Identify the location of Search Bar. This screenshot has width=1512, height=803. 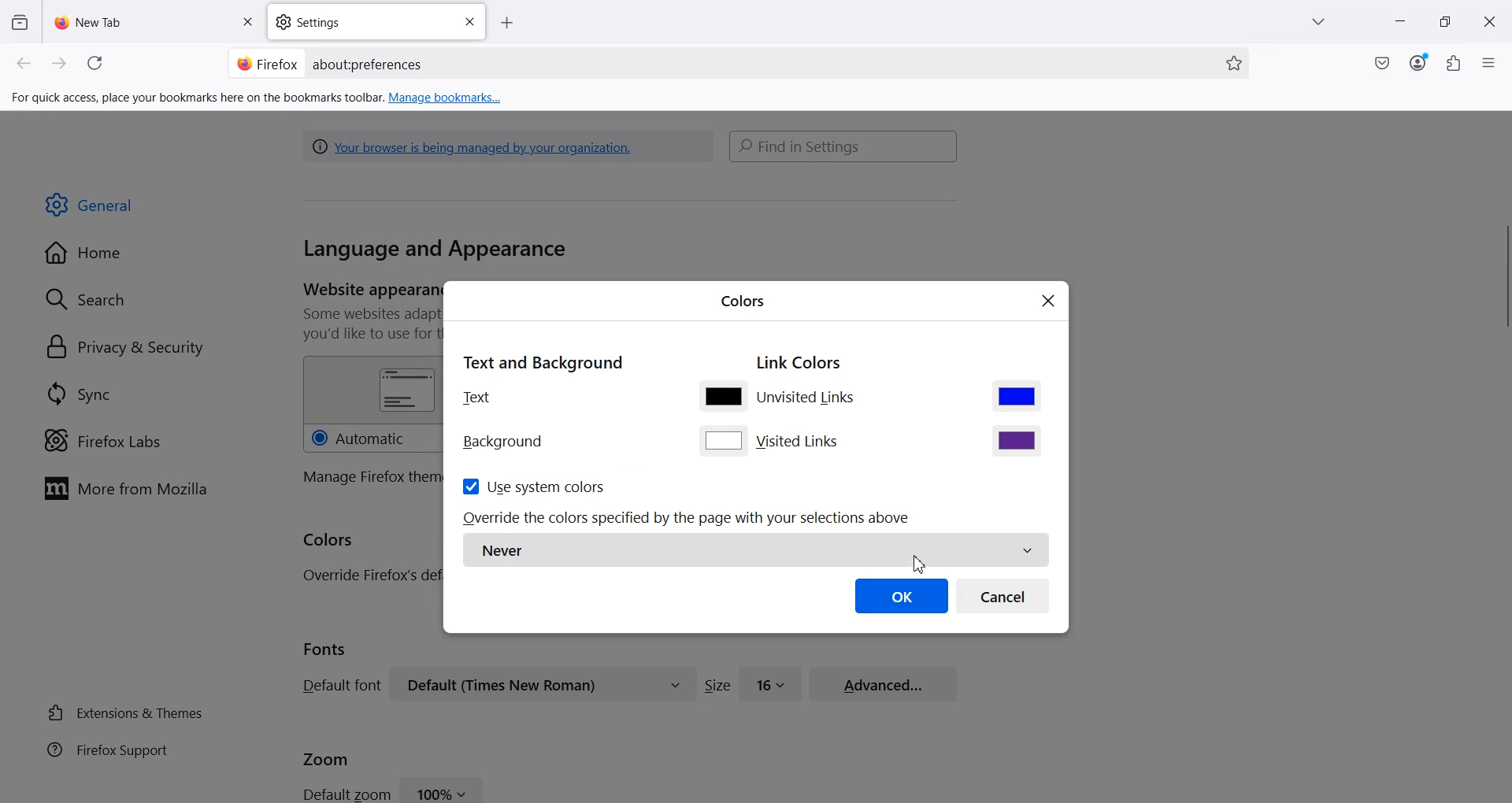
(844, 146).